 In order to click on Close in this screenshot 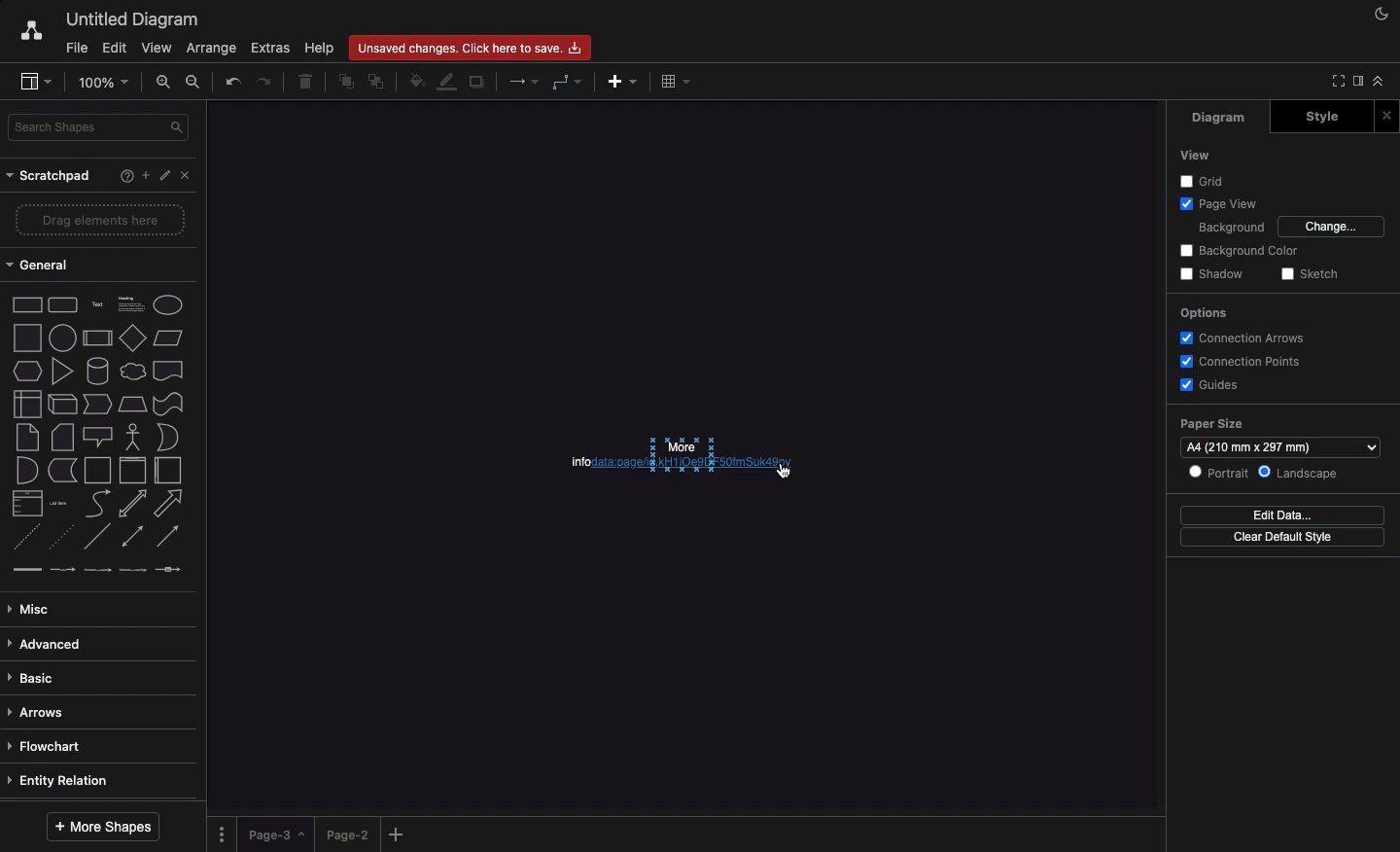, I will do `click(1389, 115)`.